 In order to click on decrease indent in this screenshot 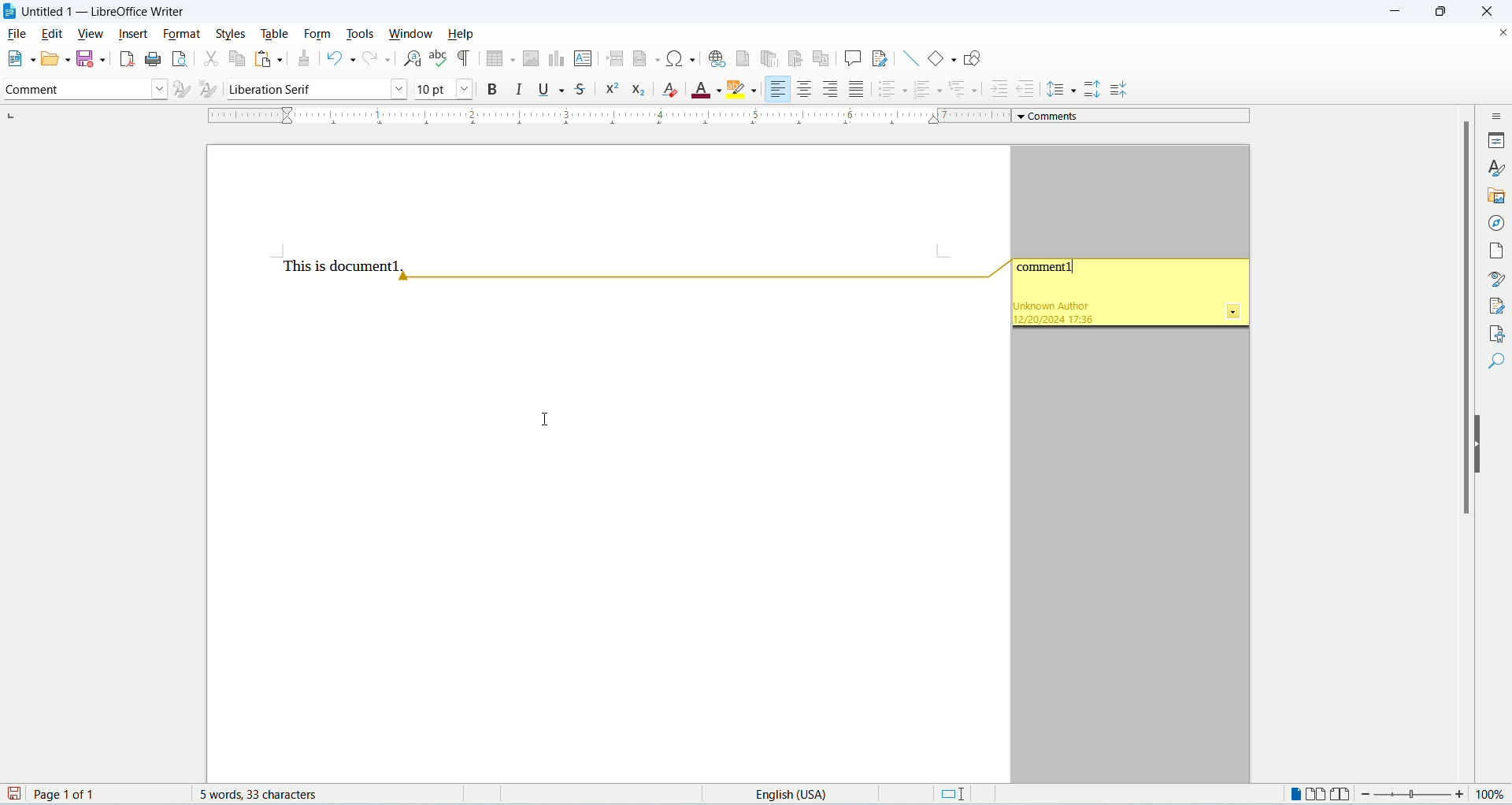, I will do `click(1030, 88)`.